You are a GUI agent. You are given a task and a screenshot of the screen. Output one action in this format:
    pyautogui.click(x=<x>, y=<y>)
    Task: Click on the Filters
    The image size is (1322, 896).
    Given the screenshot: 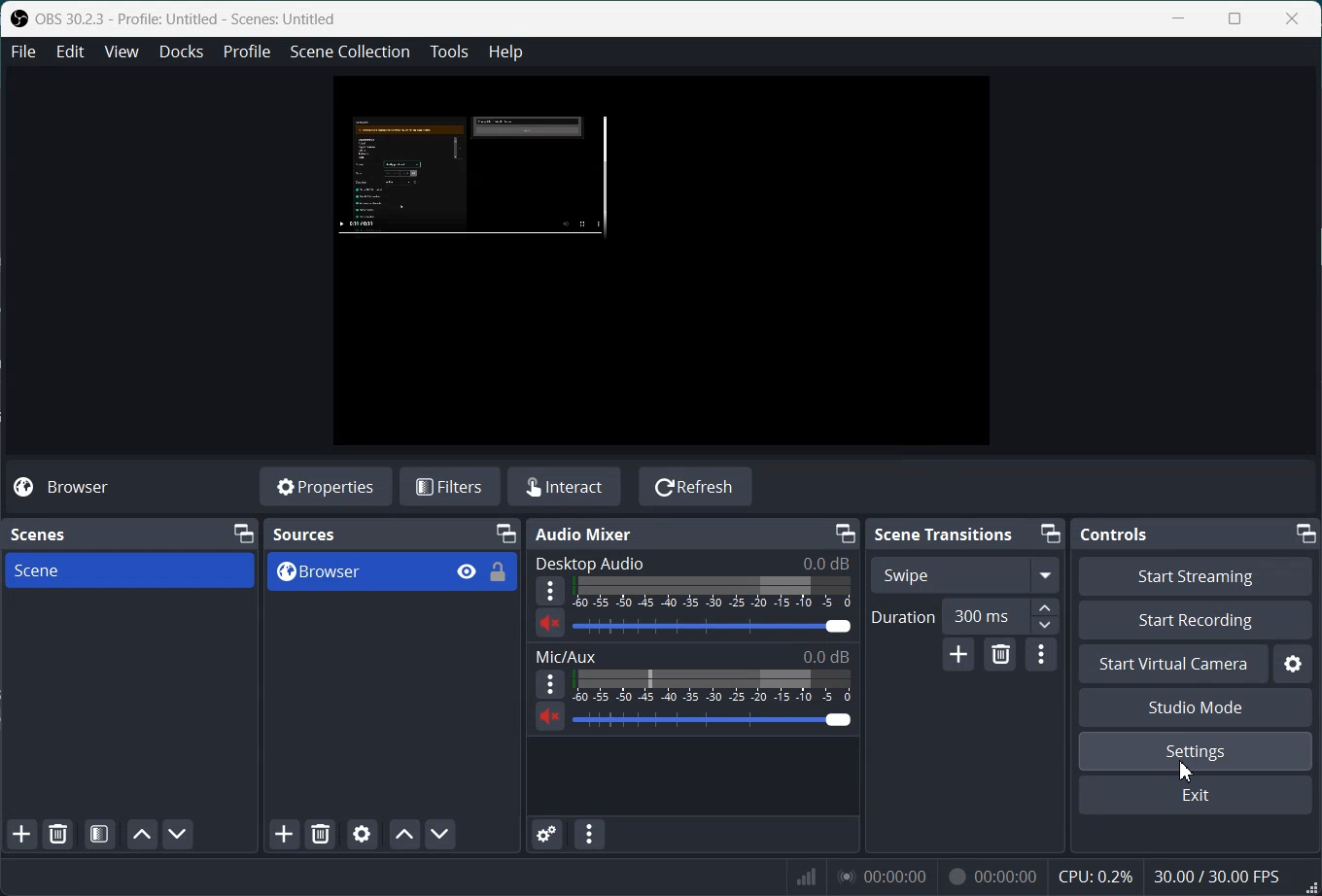 What is the action you would take?
    pyautogui.click(x=452, y=484)
    